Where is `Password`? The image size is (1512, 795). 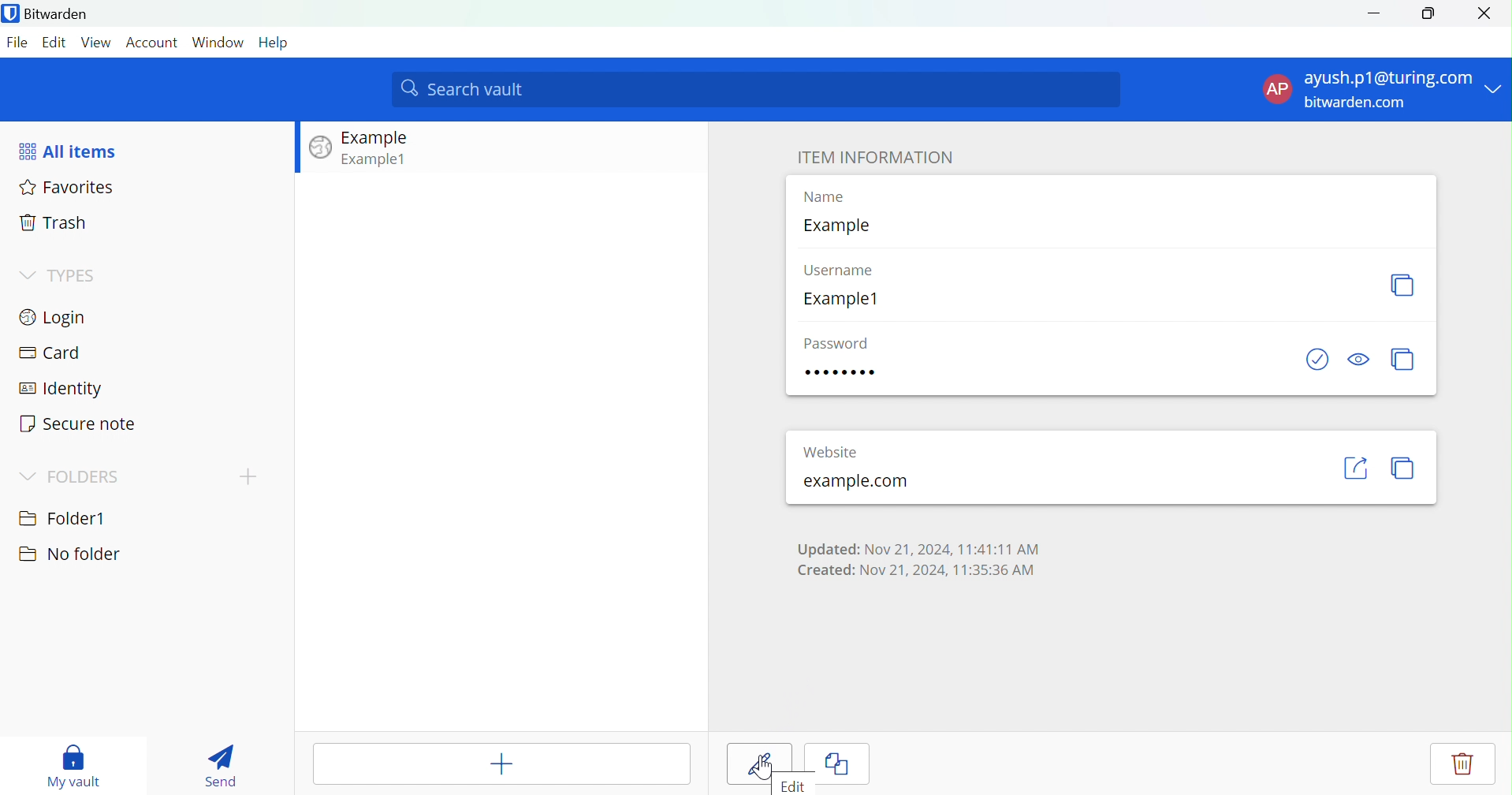
Password is located at coordinates (838, 342).